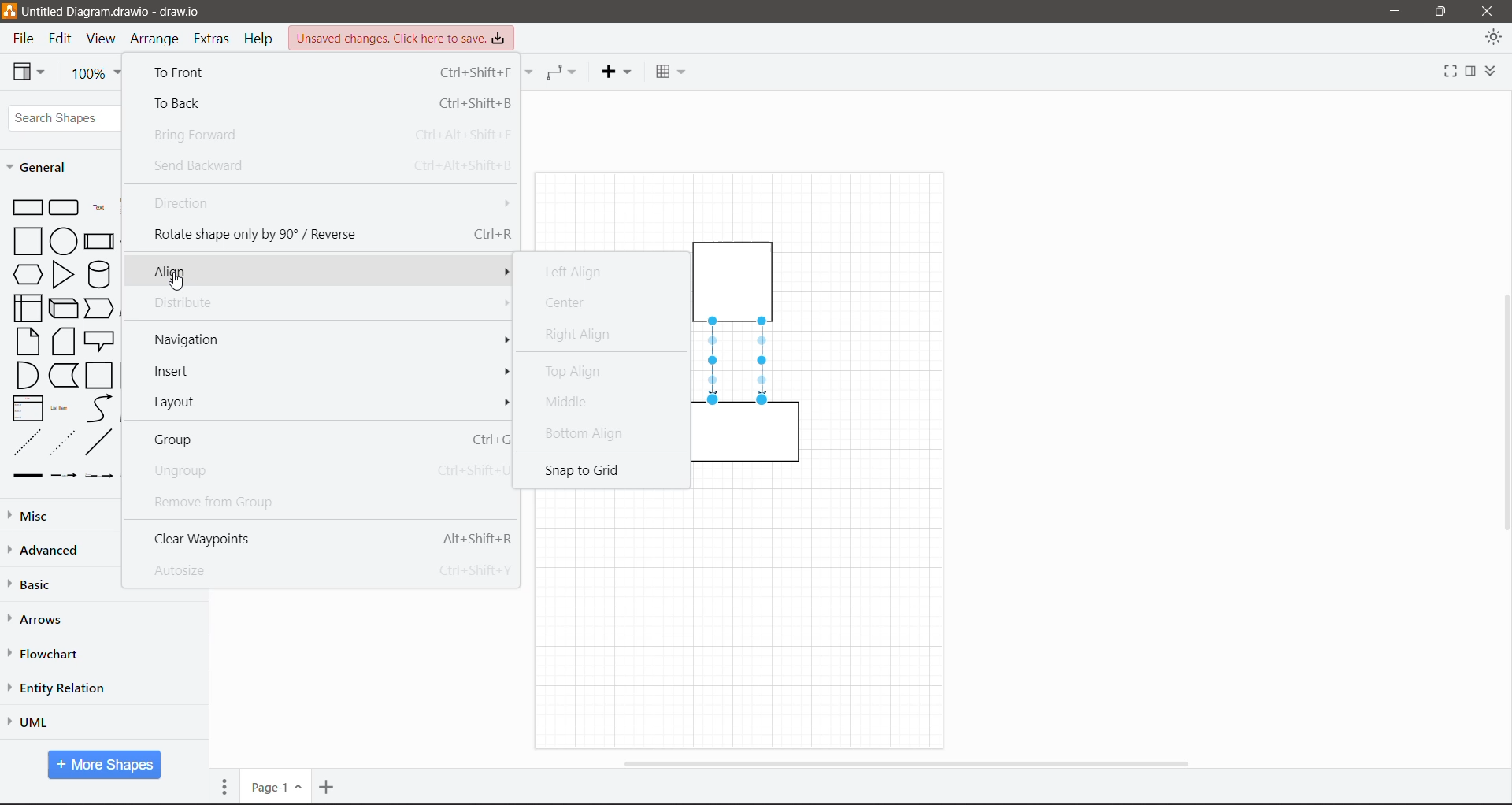 The image size is (1512, 805). I want to click on Insert Page, so click(328, 787).